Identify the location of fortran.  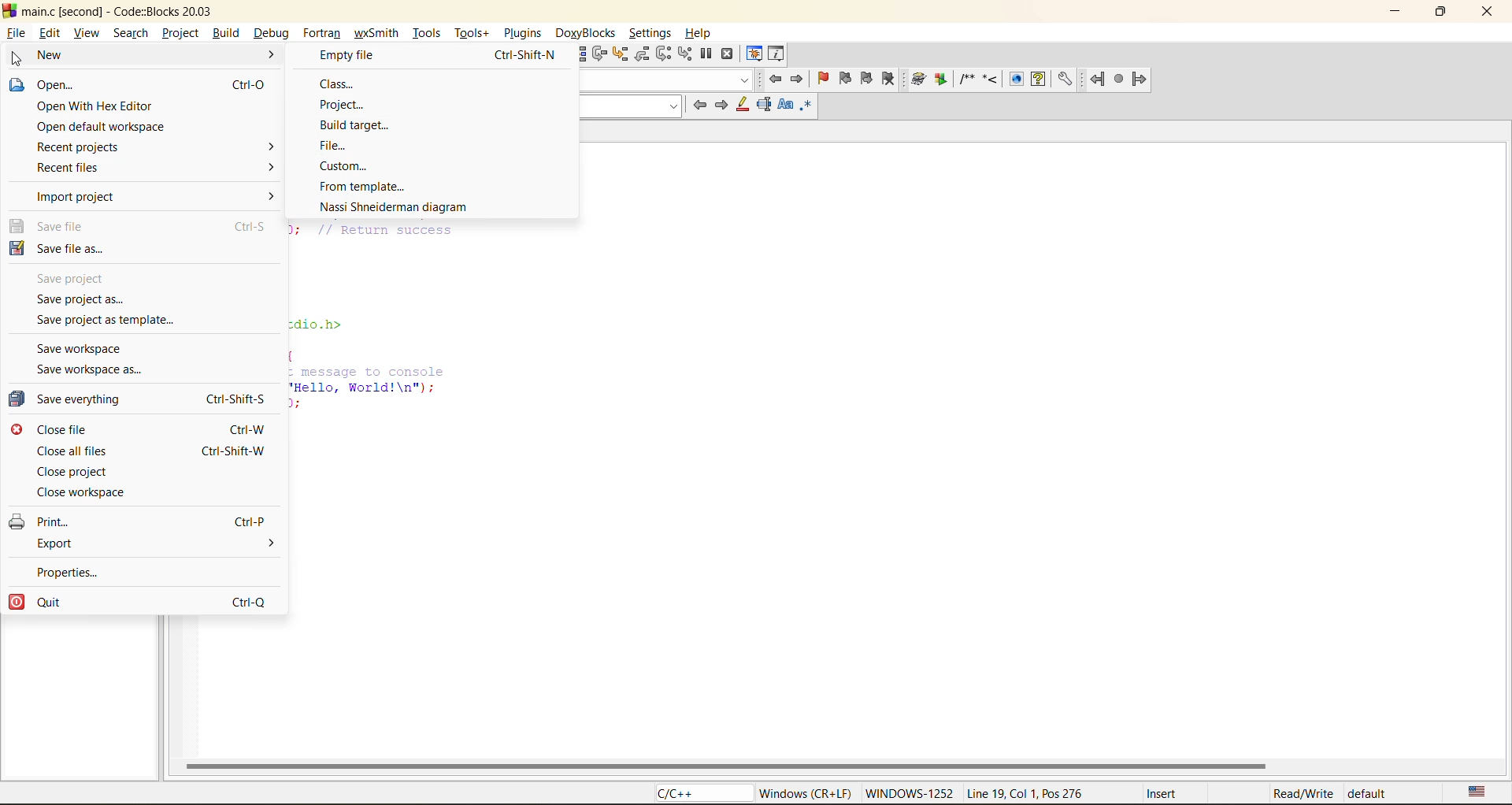
(322, 33).